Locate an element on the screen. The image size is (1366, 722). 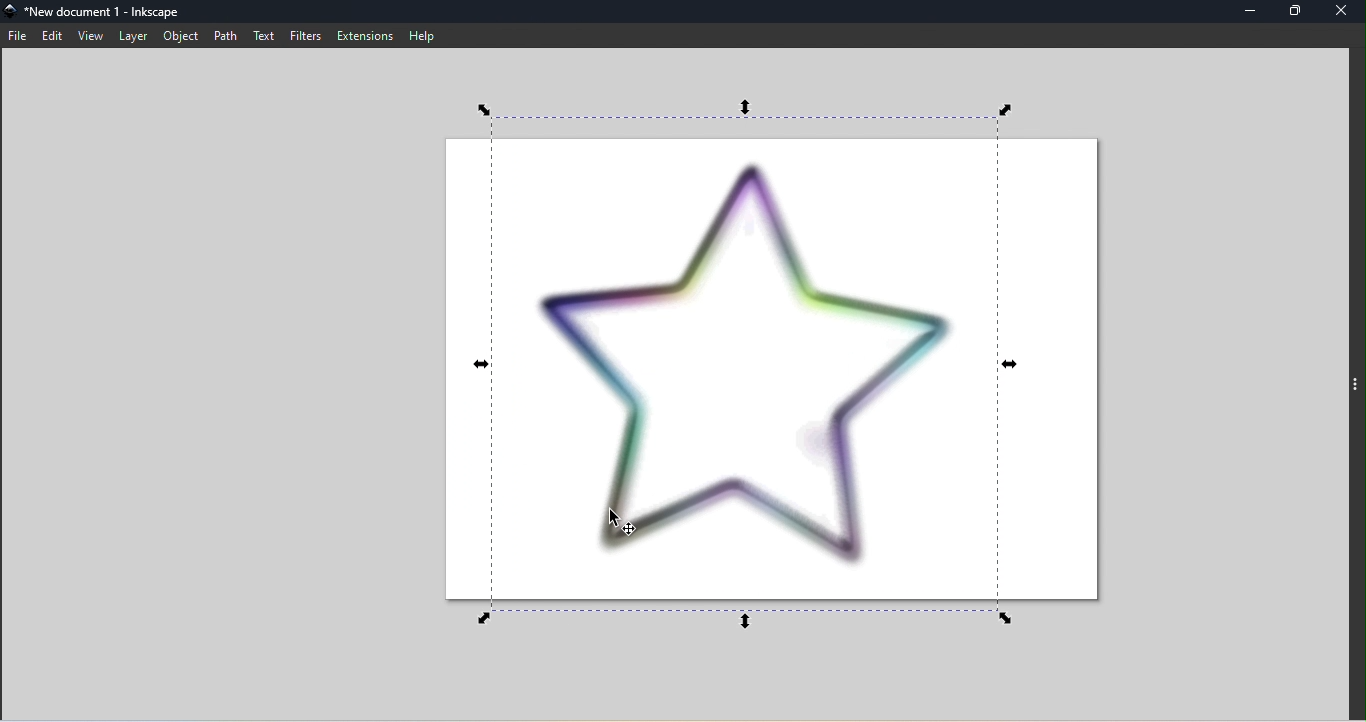
Maximize is located at coordinates (1300, 11).